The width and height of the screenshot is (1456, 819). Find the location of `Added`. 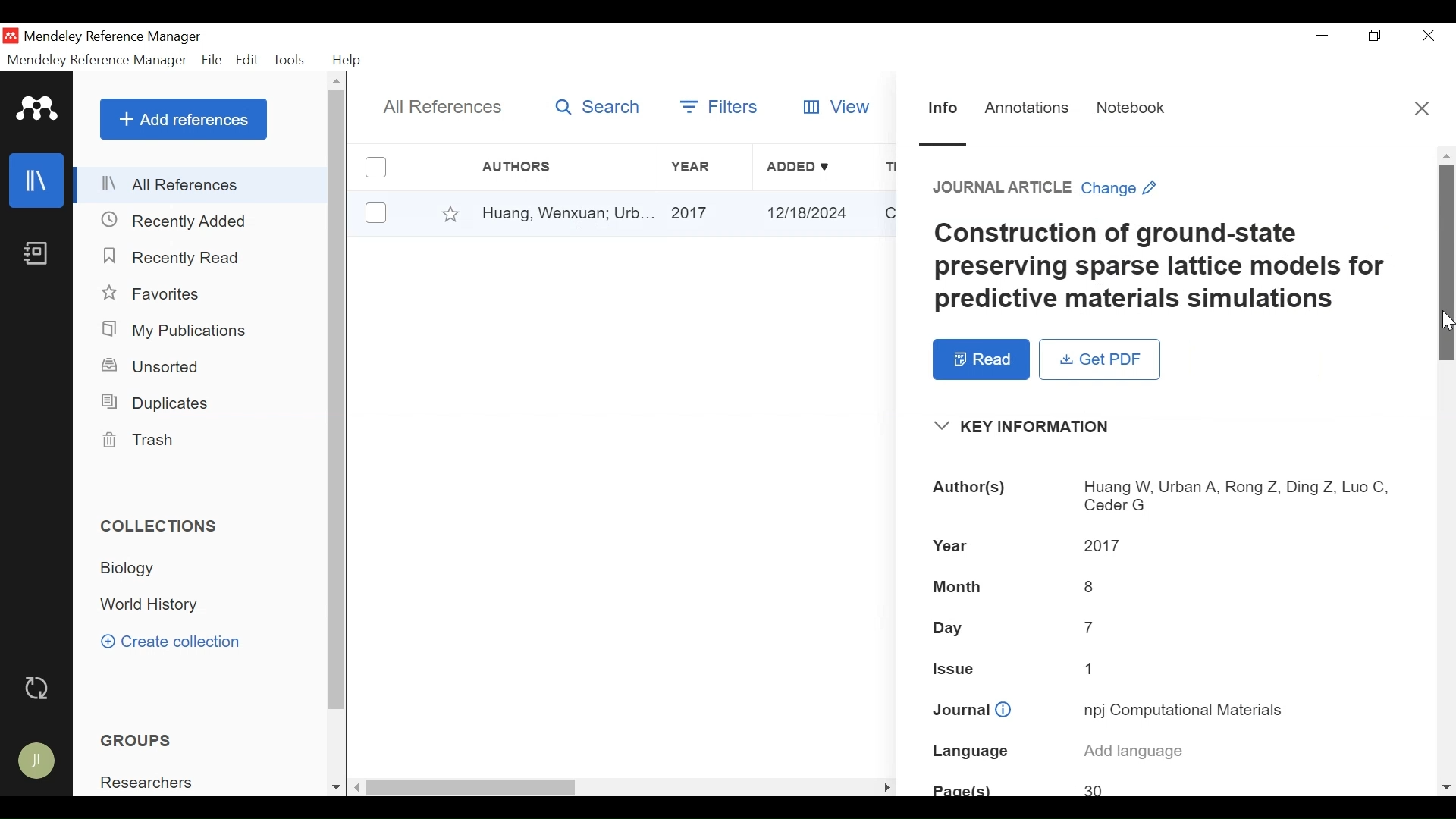

Added is located at coordinates (811, 167).